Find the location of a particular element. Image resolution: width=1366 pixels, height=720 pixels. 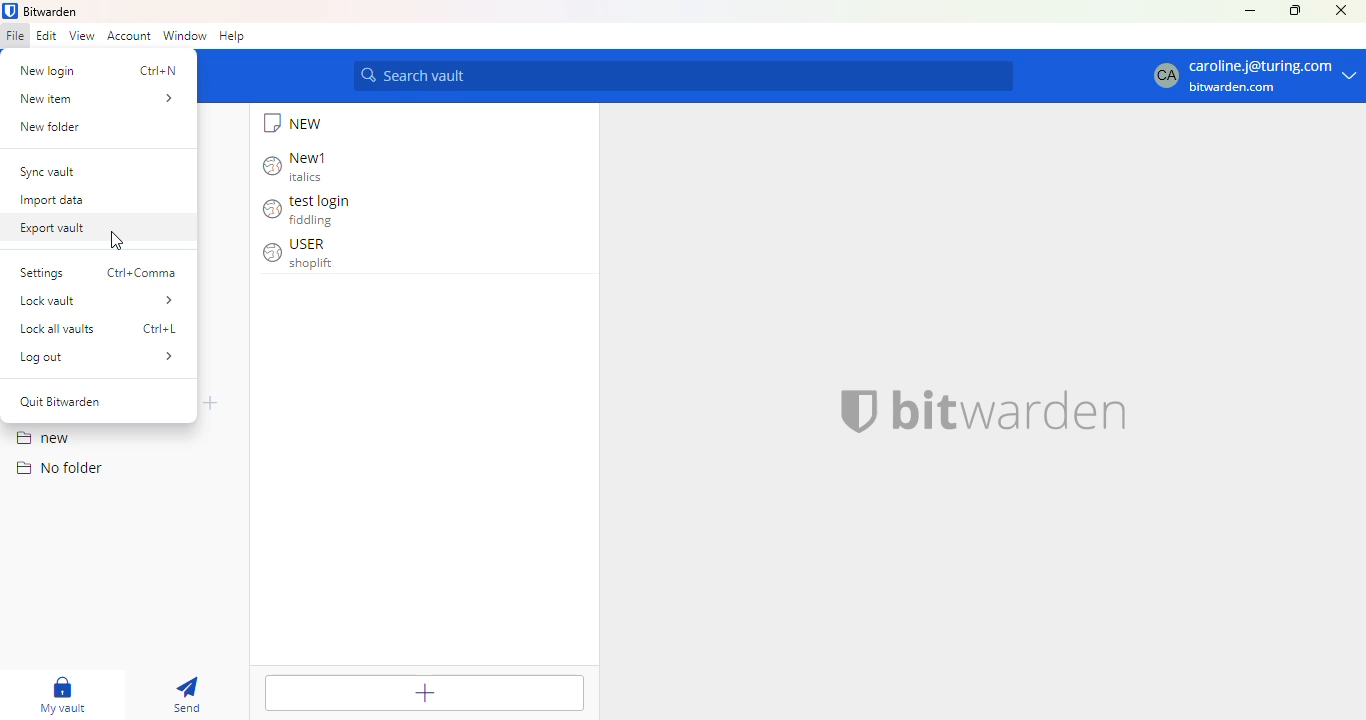

lock vault is located at coordinates (98, 300).